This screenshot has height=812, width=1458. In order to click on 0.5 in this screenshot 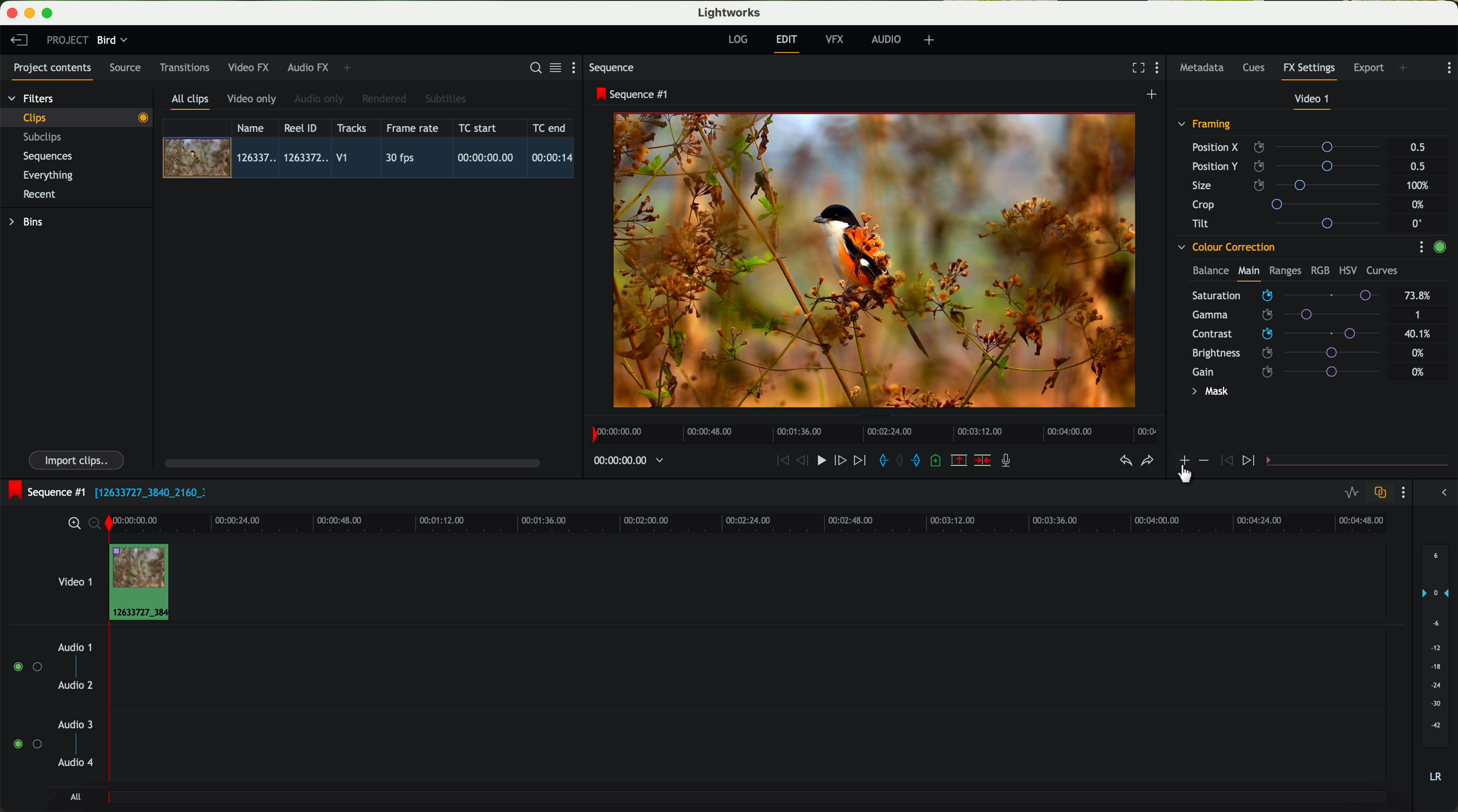, I will do `click(1418, 148)`.